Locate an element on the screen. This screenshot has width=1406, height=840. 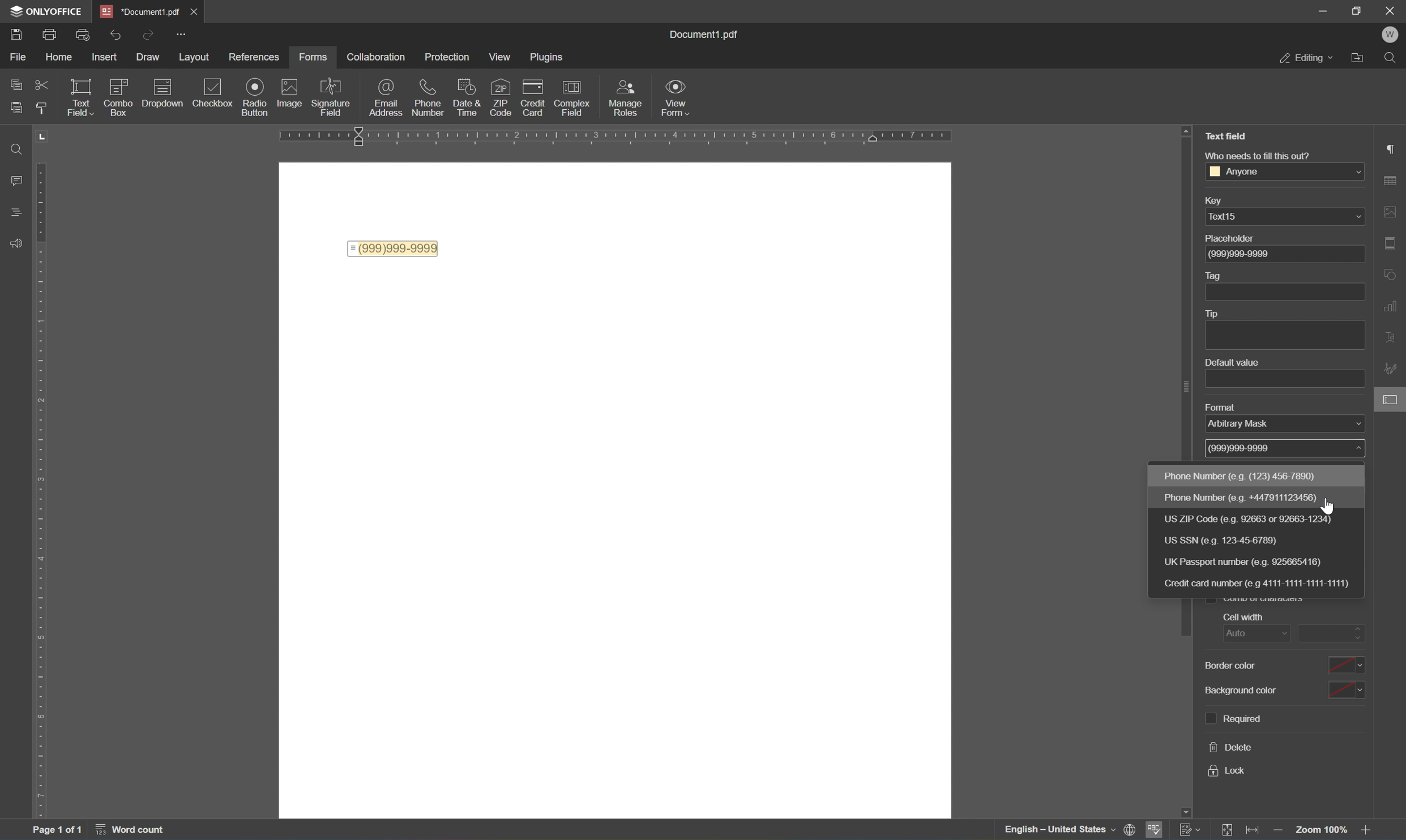
word count is located at coordinates (134, 829).